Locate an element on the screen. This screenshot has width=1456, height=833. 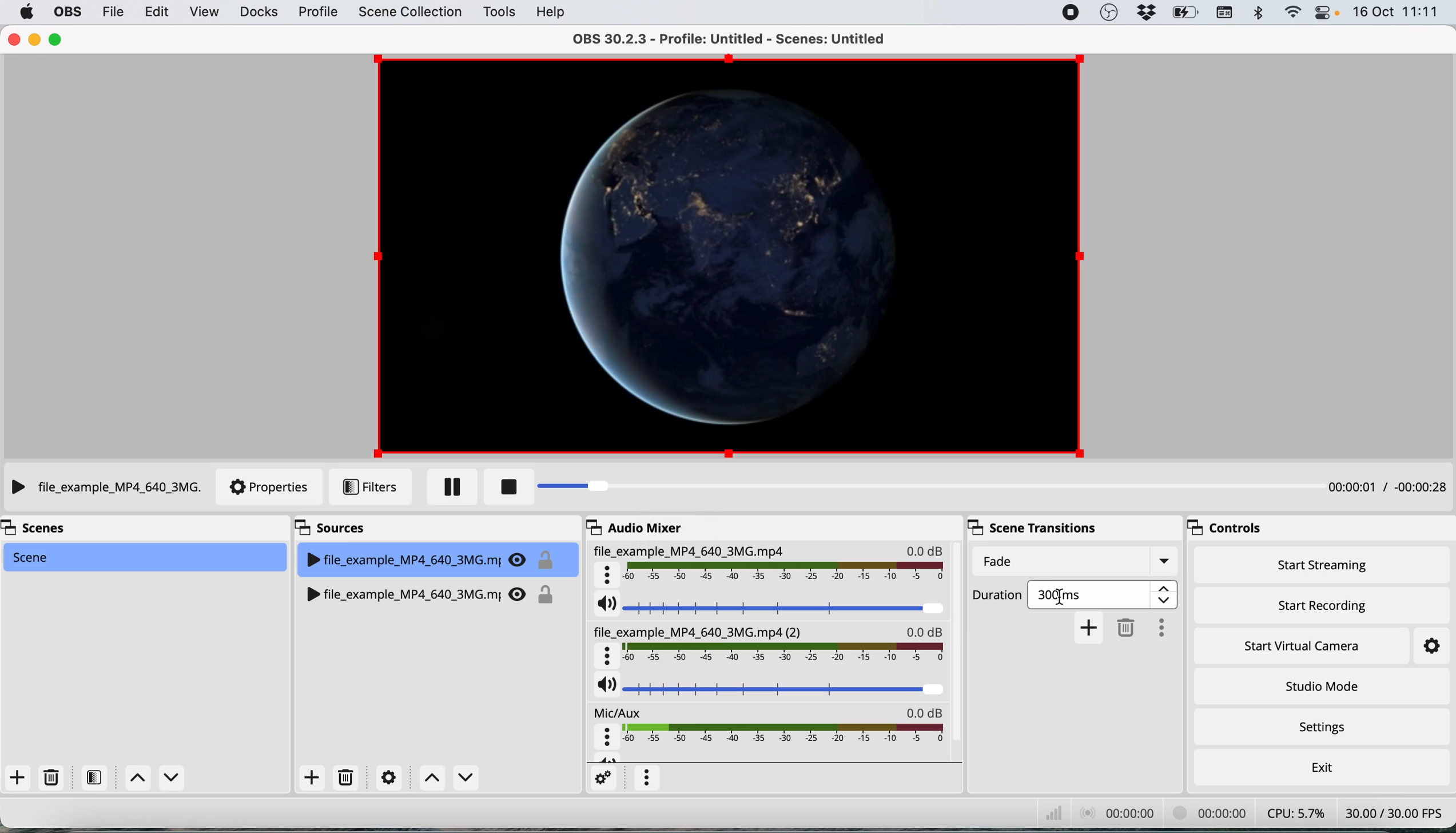
start virtual camera is located at coordinates (1307, 646).